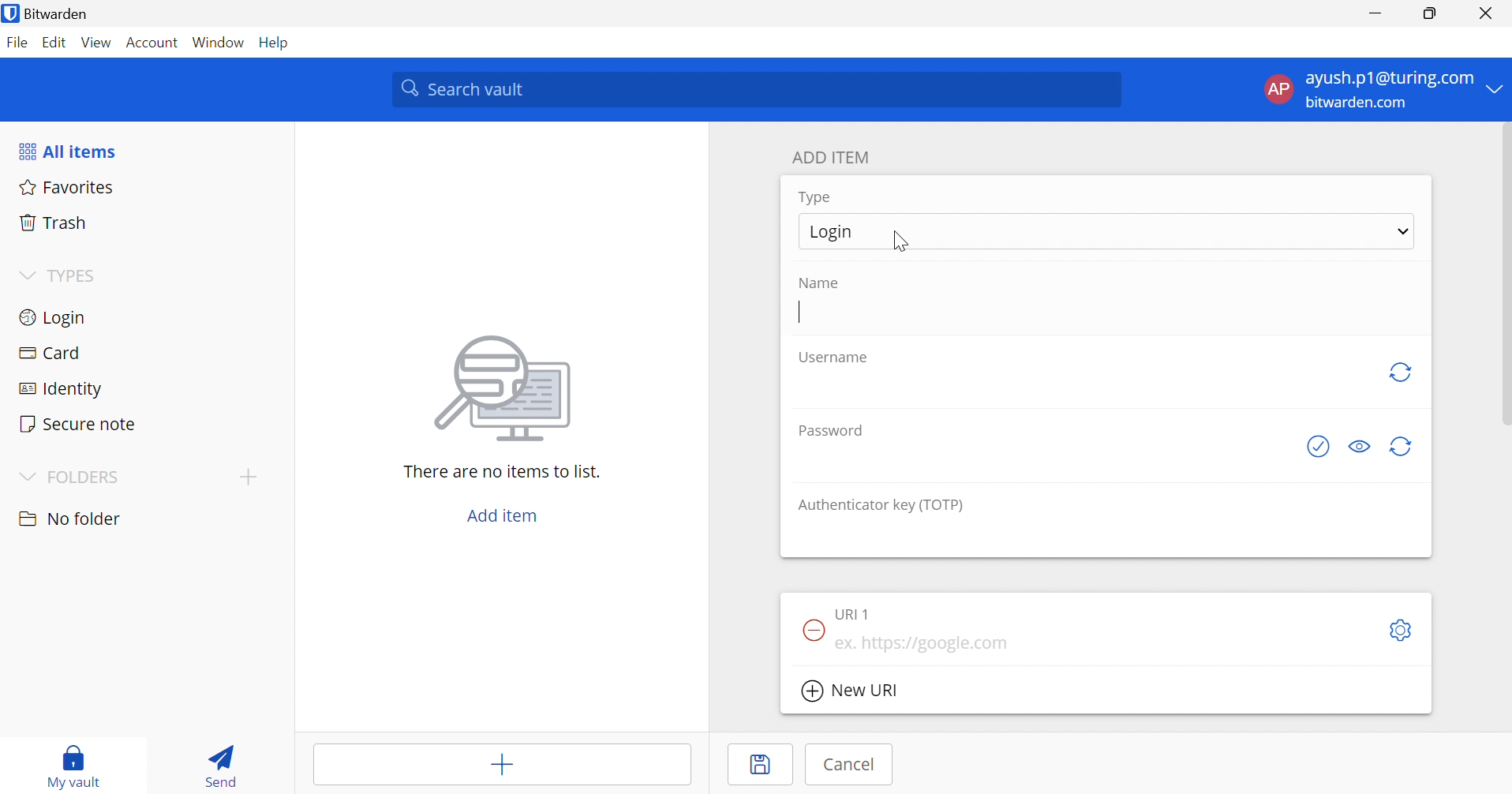  What do you see at coordinates (68, 14) in the screenshot?
I see `Bitwarden` at bounding box center [68, 14].